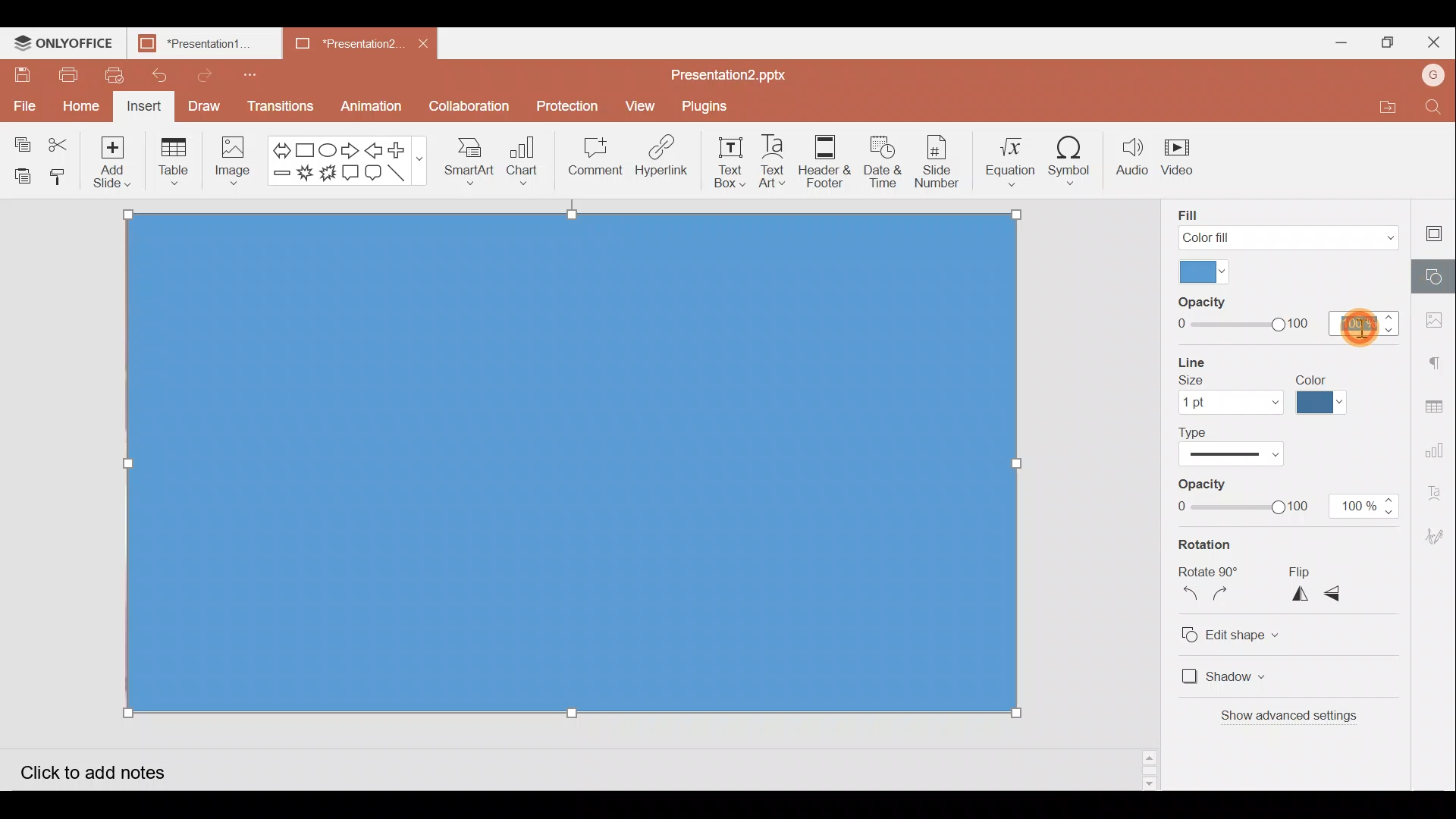 The height and width of the screenshot is (819, 1456). Describe the element at coordinates (114, 162) in the screenshot. I see `Add slide` at that location.